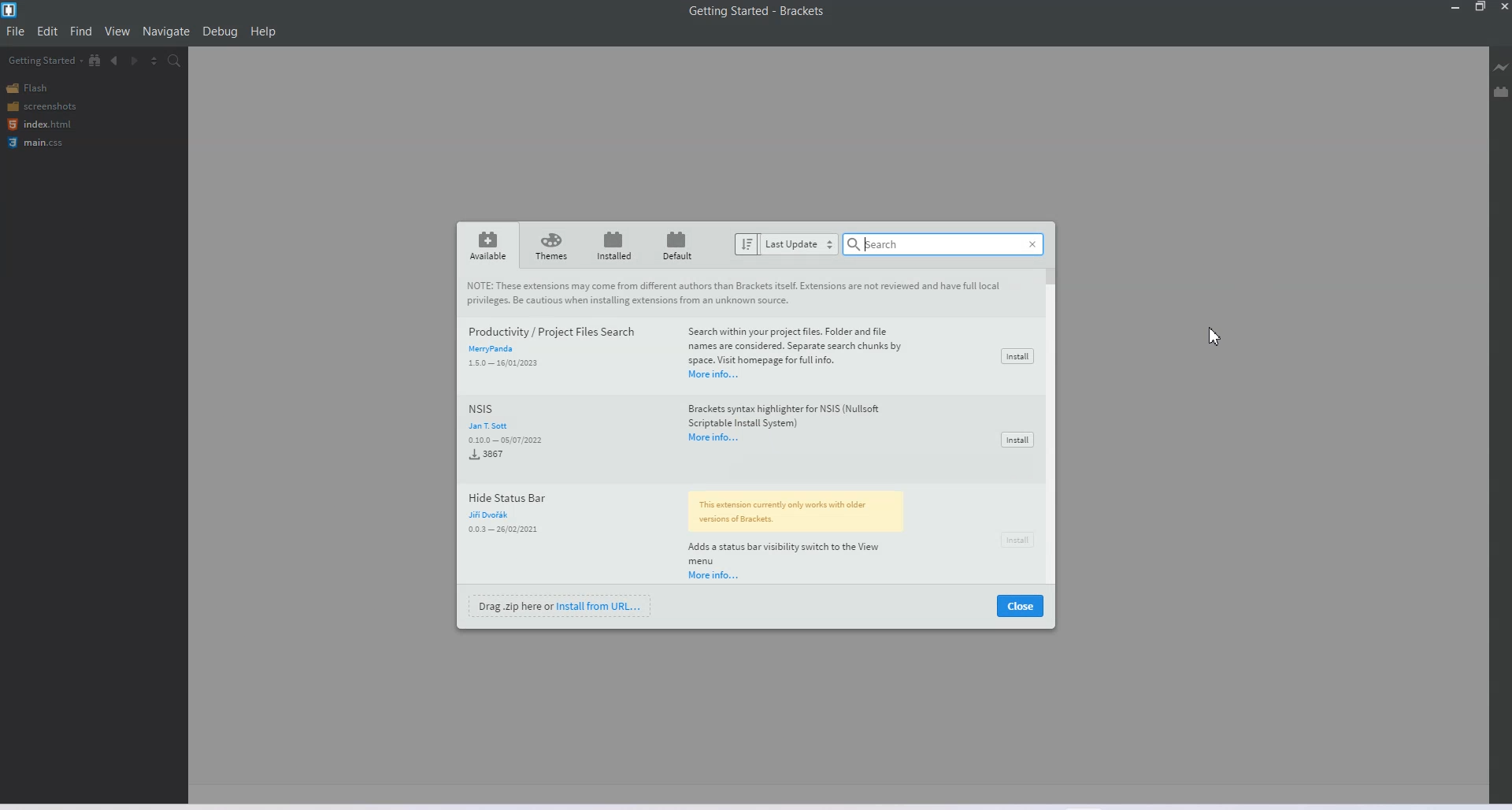 The image size is (1512, 810). Describe the element at coordinates (1017, 355) in the screenshot. I see `install` at that location.